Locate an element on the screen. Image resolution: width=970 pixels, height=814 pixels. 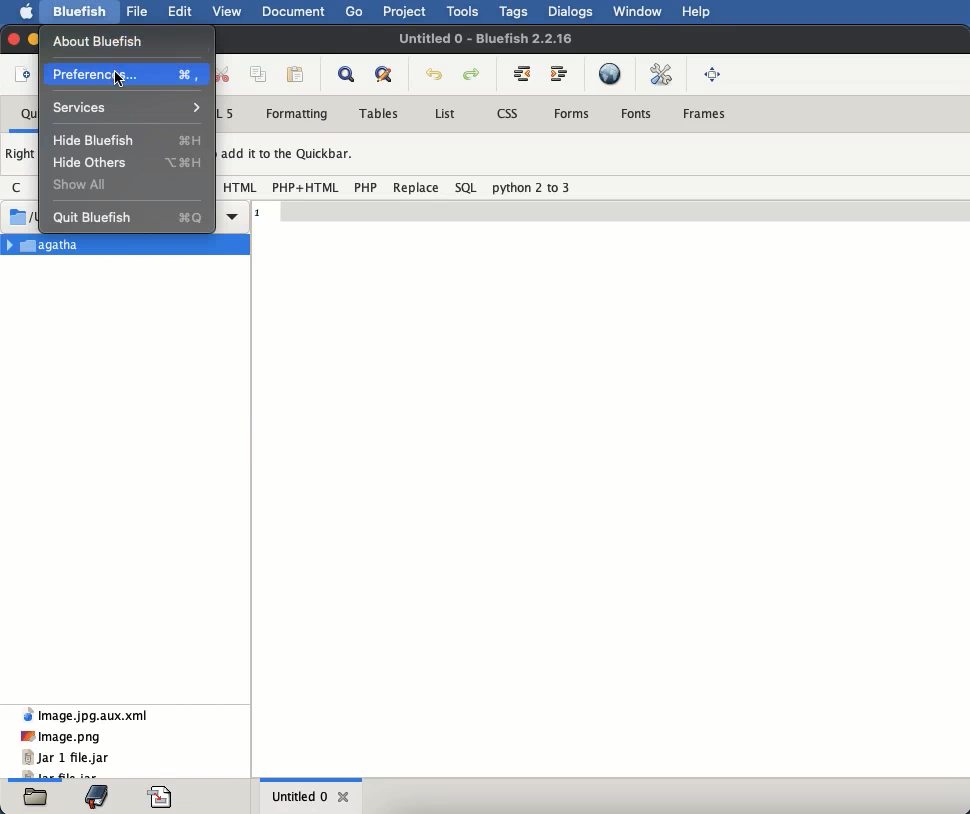
fonts is located at coordinates (638, 114).